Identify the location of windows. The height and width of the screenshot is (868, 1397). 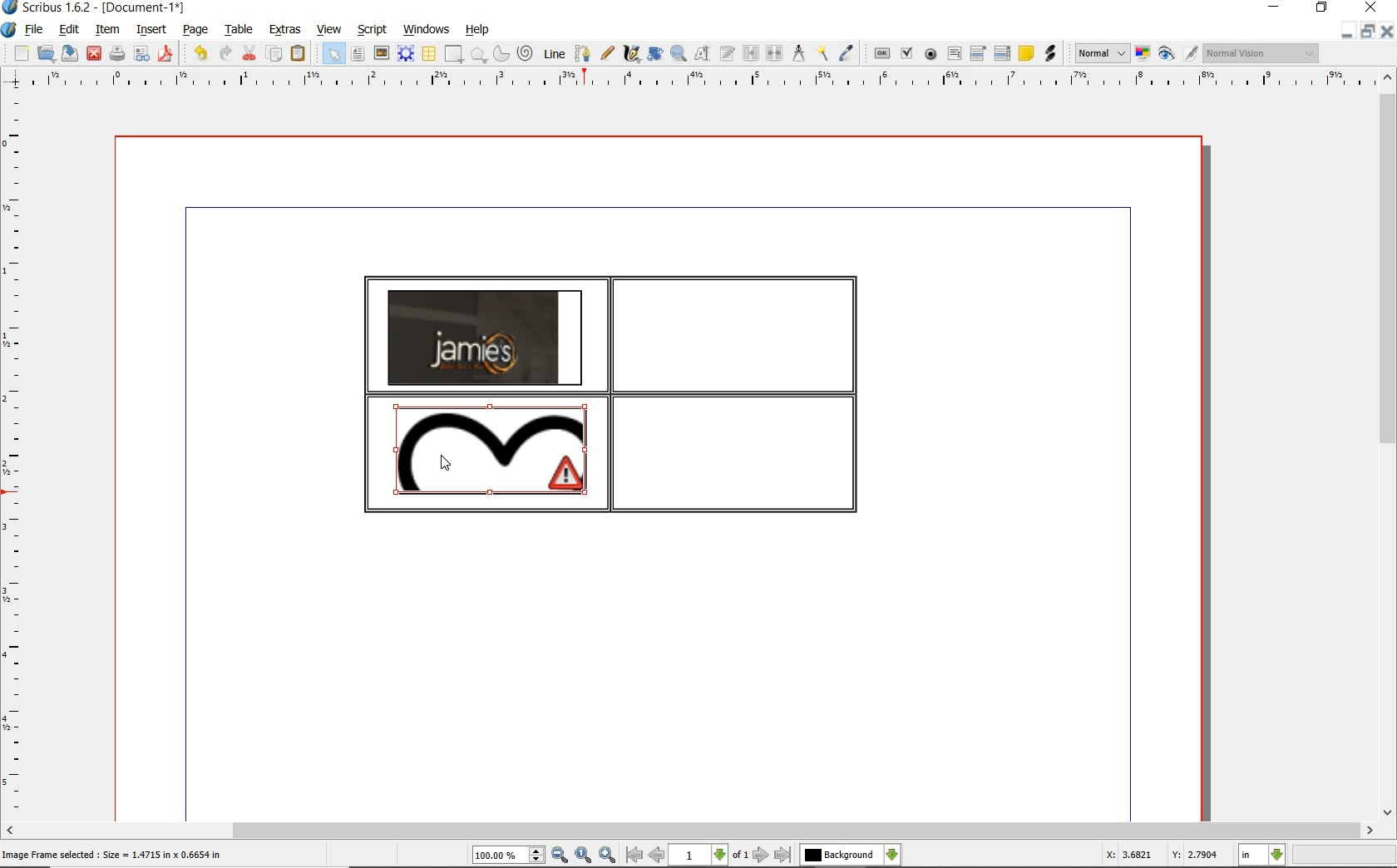
(426, 30).